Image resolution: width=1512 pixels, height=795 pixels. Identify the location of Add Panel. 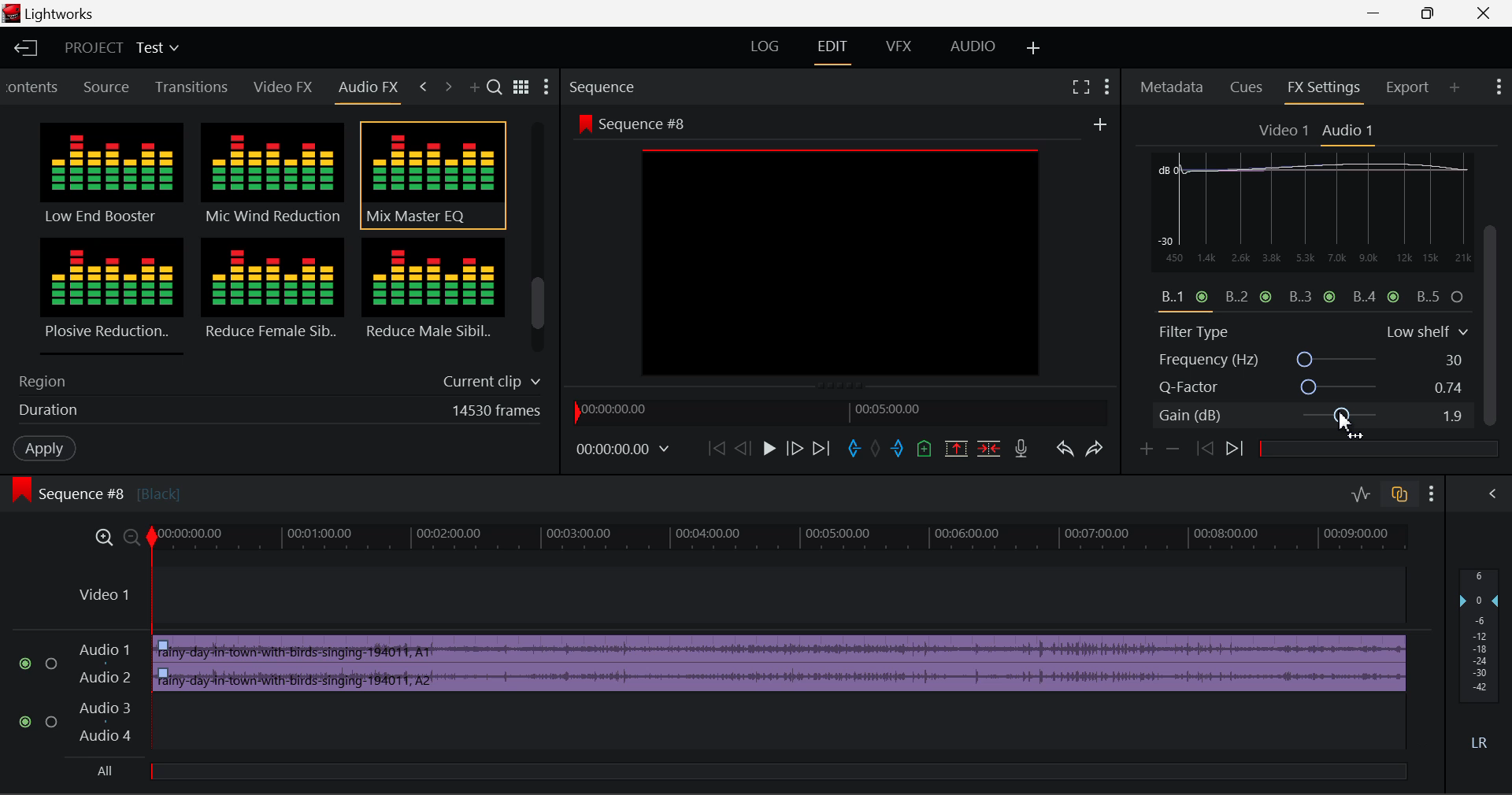
(476, 89).